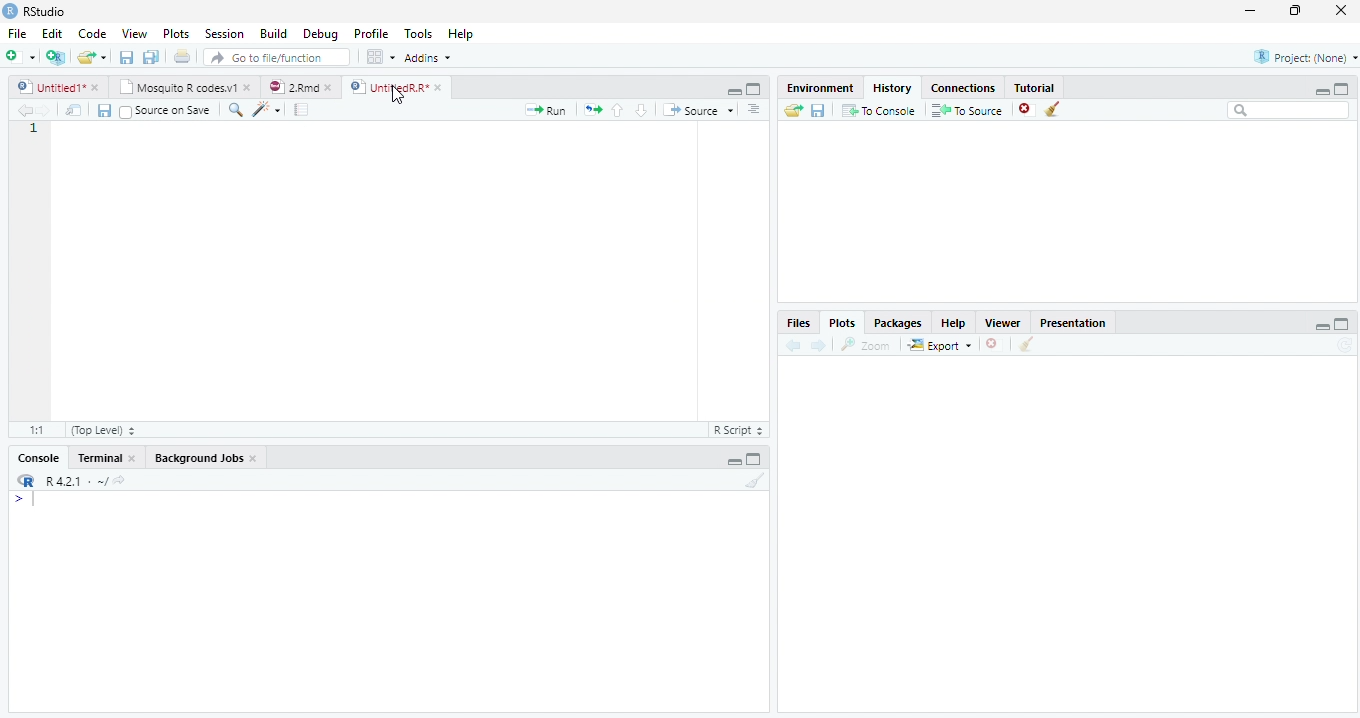 The height and width of the screenshot is (718, 1360). Describe the element at coordinates (430, 58) in the screenshot. I see `Addins` at that location.